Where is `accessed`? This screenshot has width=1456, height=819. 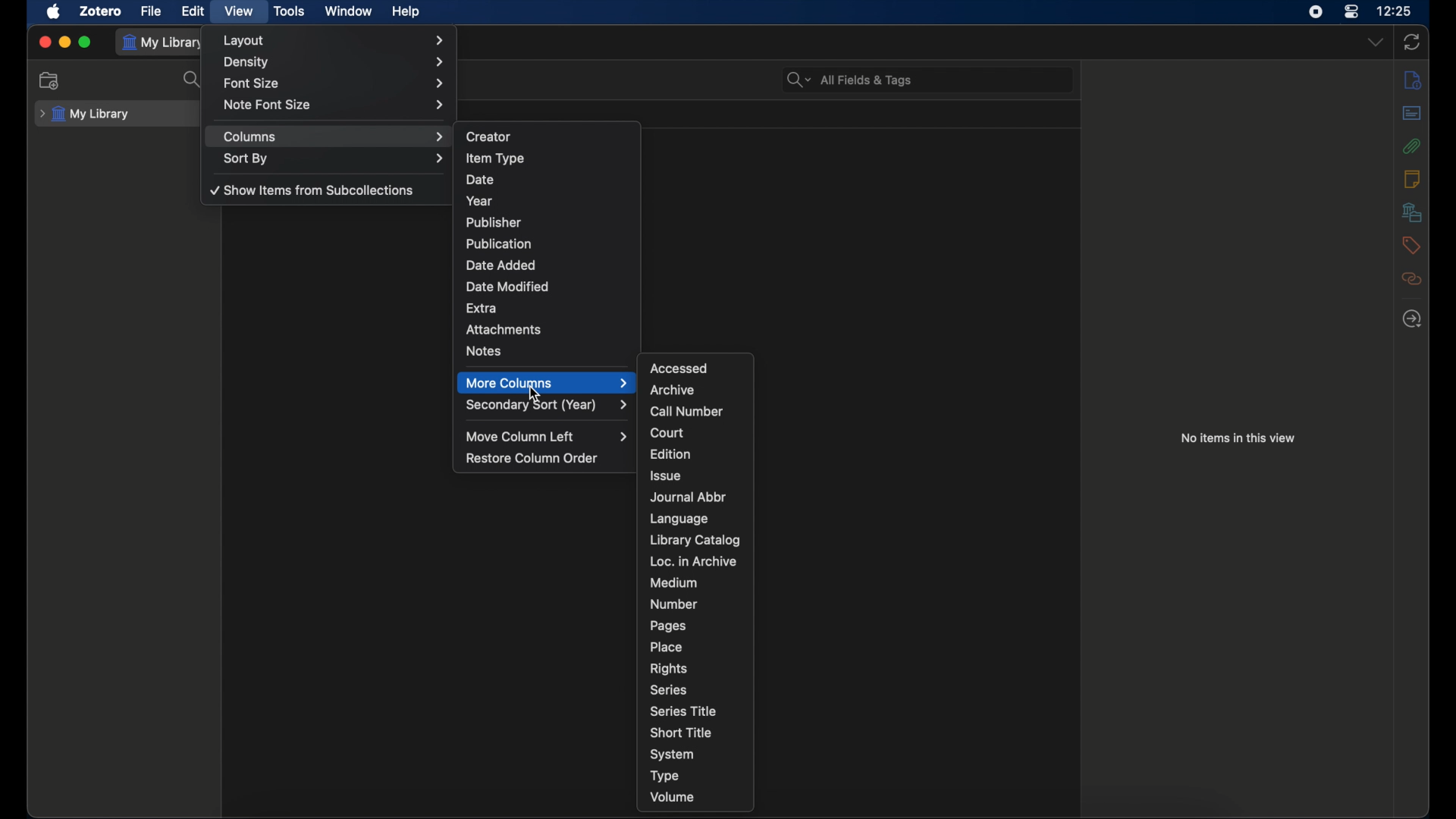
accessed is located at coordinates (681, 369).